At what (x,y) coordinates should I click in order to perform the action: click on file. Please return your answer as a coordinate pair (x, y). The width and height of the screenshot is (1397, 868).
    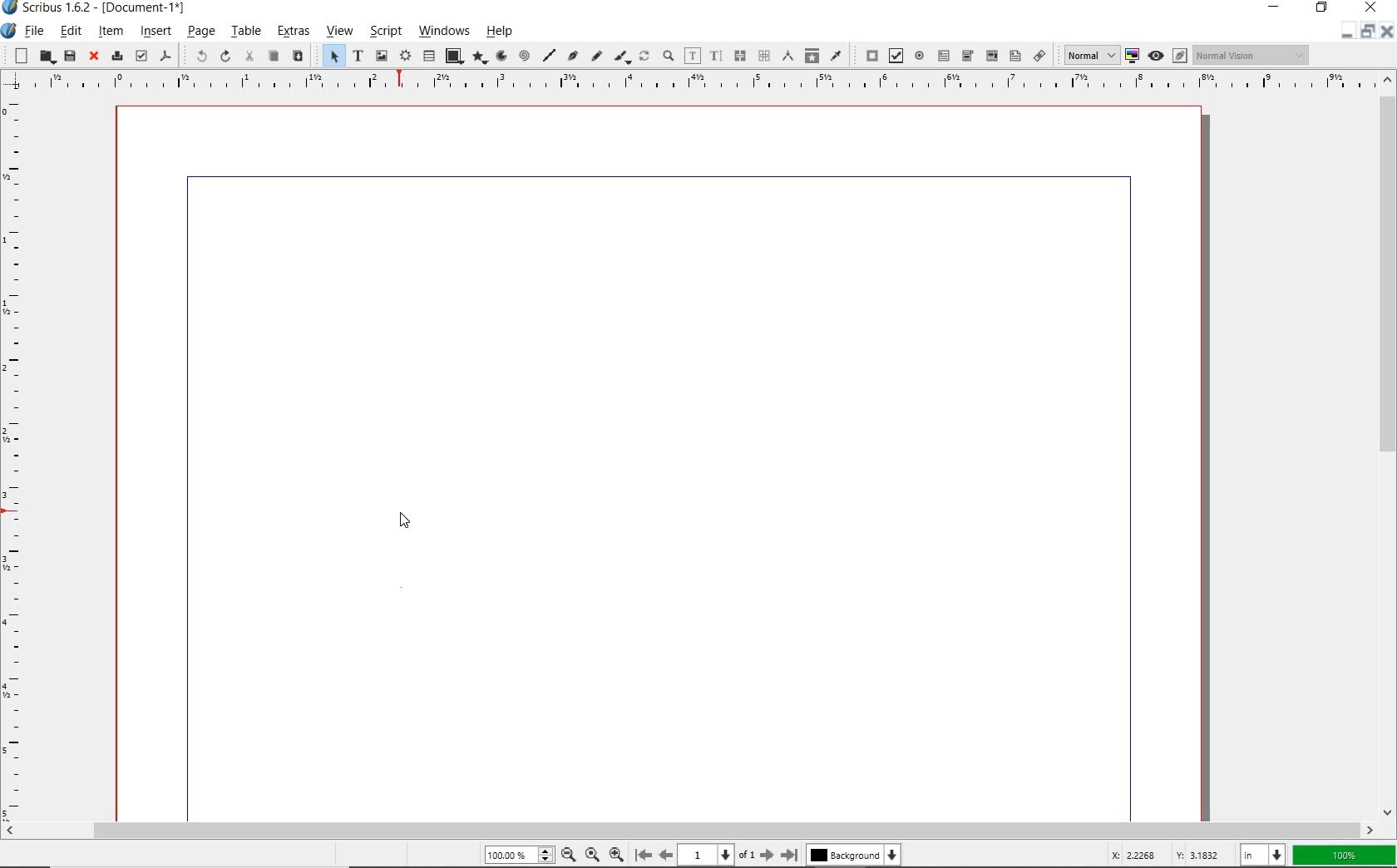
    Looking at the image, I should click on (35, 32).